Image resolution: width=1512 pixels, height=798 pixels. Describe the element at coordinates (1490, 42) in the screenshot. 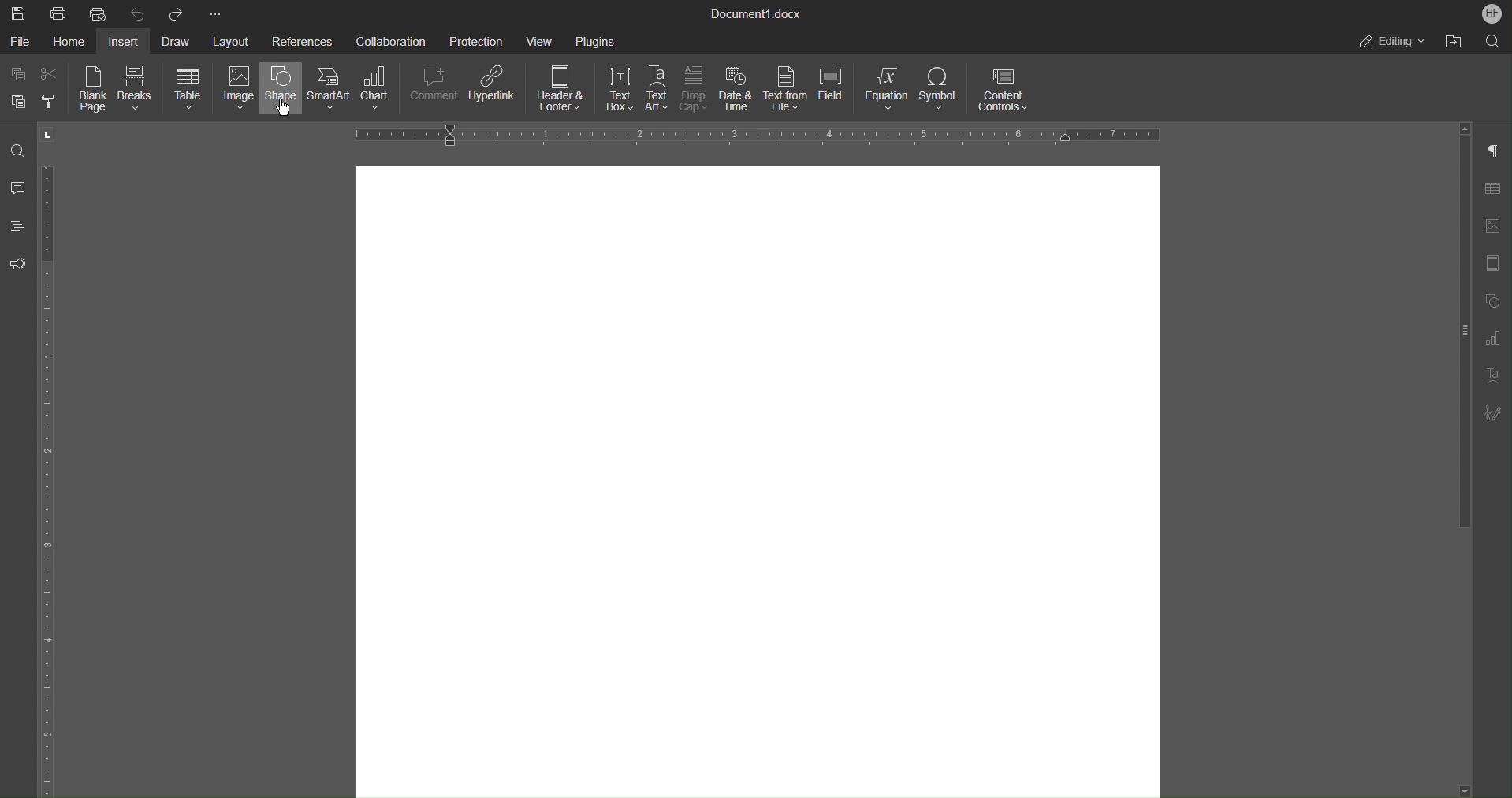

I see `Search` at that location.